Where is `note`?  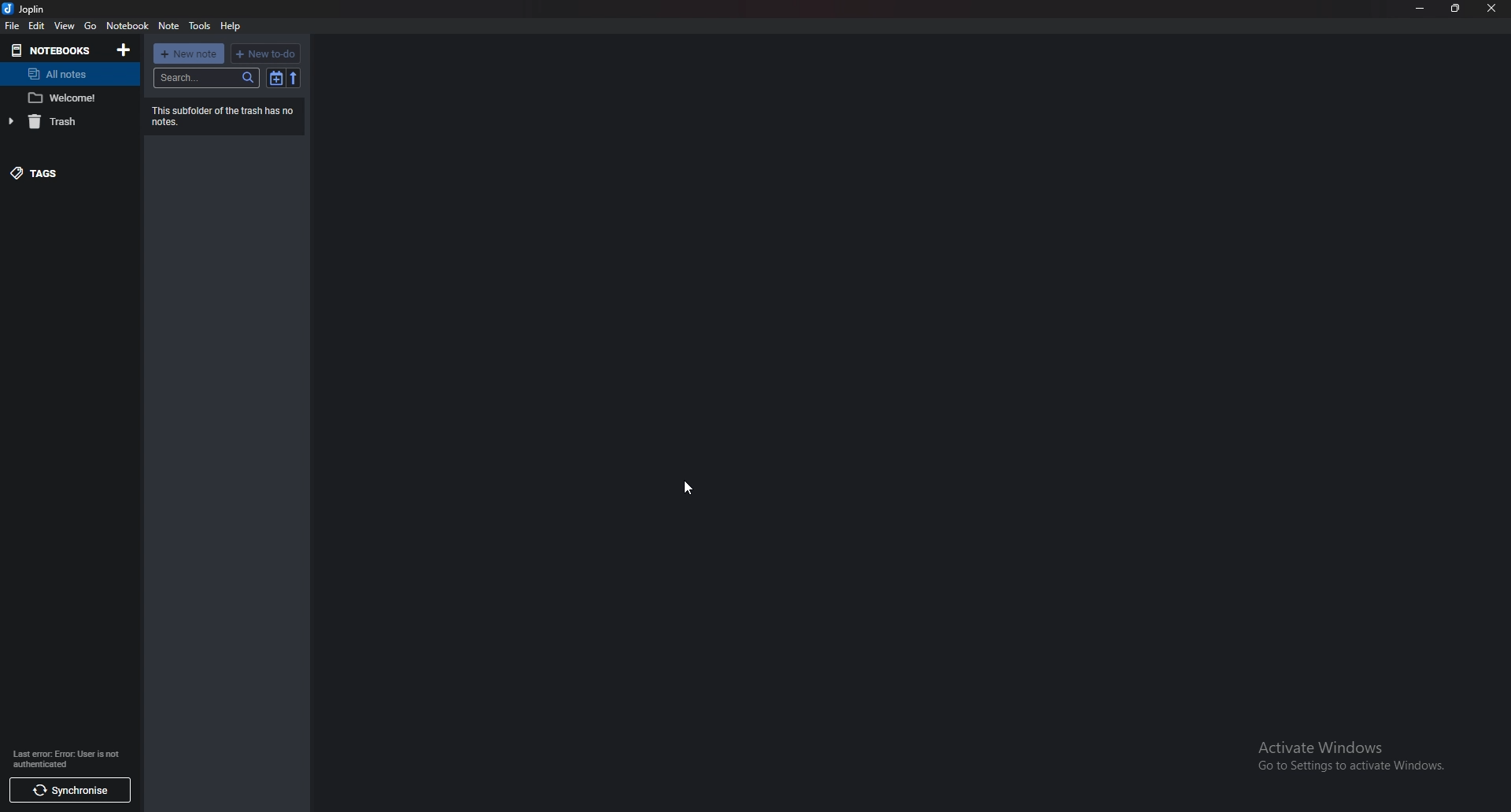 note is located at coordinates (168, 26).